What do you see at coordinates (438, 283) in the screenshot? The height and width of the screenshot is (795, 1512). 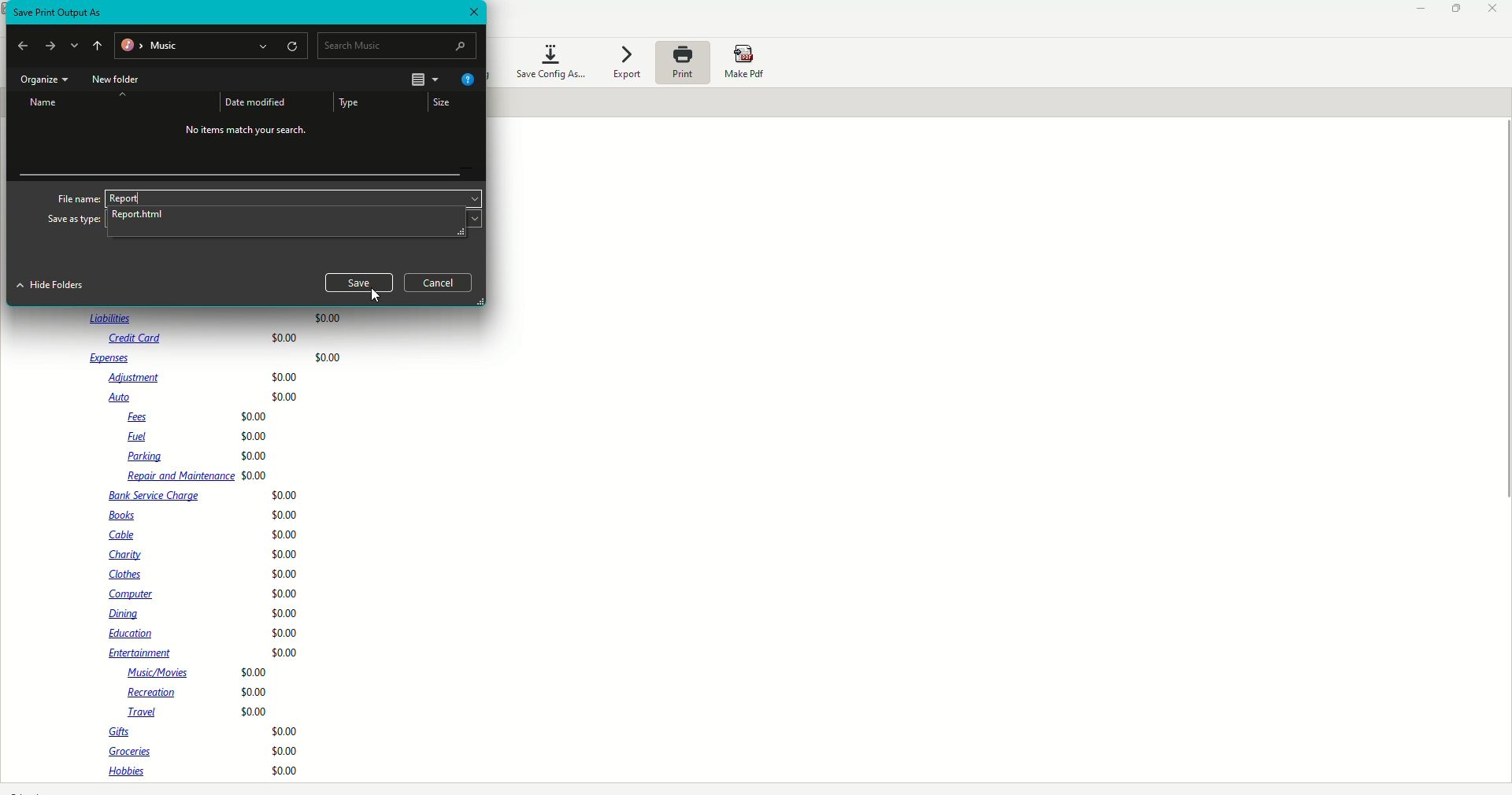 I see `Cancel` at bounding box center [438, 283].